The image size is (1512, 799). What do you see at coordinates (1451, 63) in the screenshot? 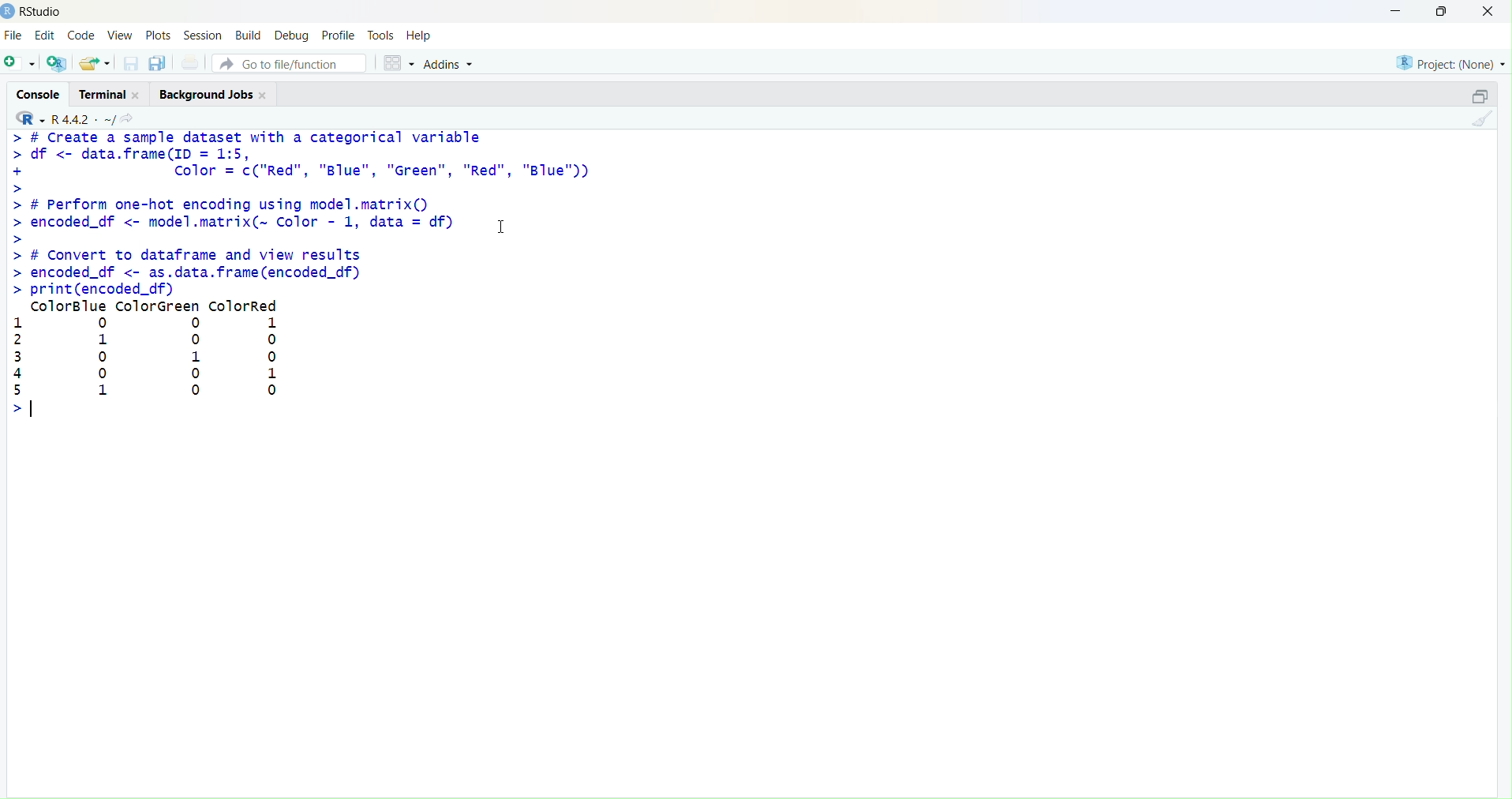
I see `project (none)` at bounding box center [1451, 63].